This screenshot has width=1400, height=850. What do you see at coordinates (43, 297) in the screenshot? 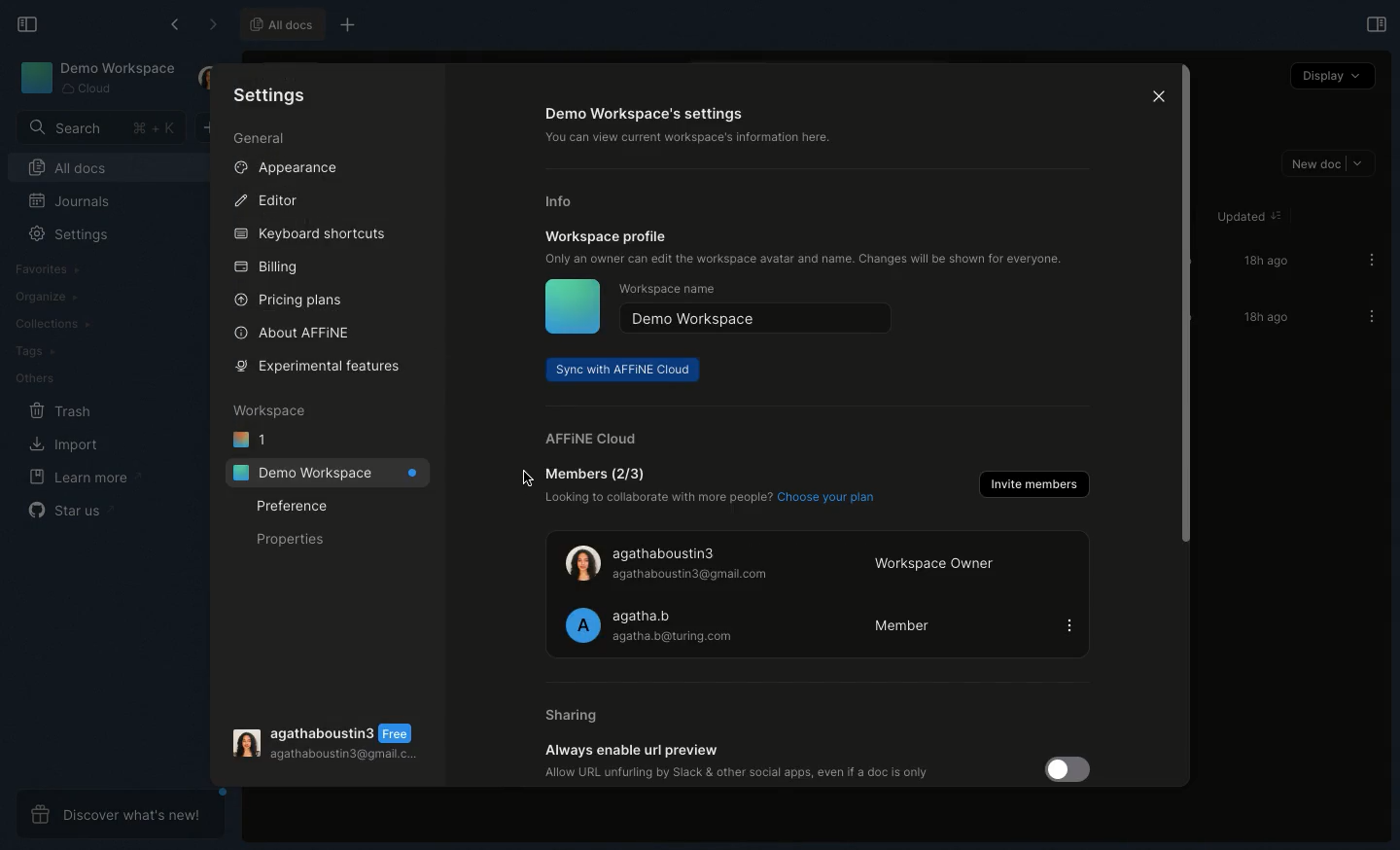
I see `Organize` at bounding box center [43, 297].